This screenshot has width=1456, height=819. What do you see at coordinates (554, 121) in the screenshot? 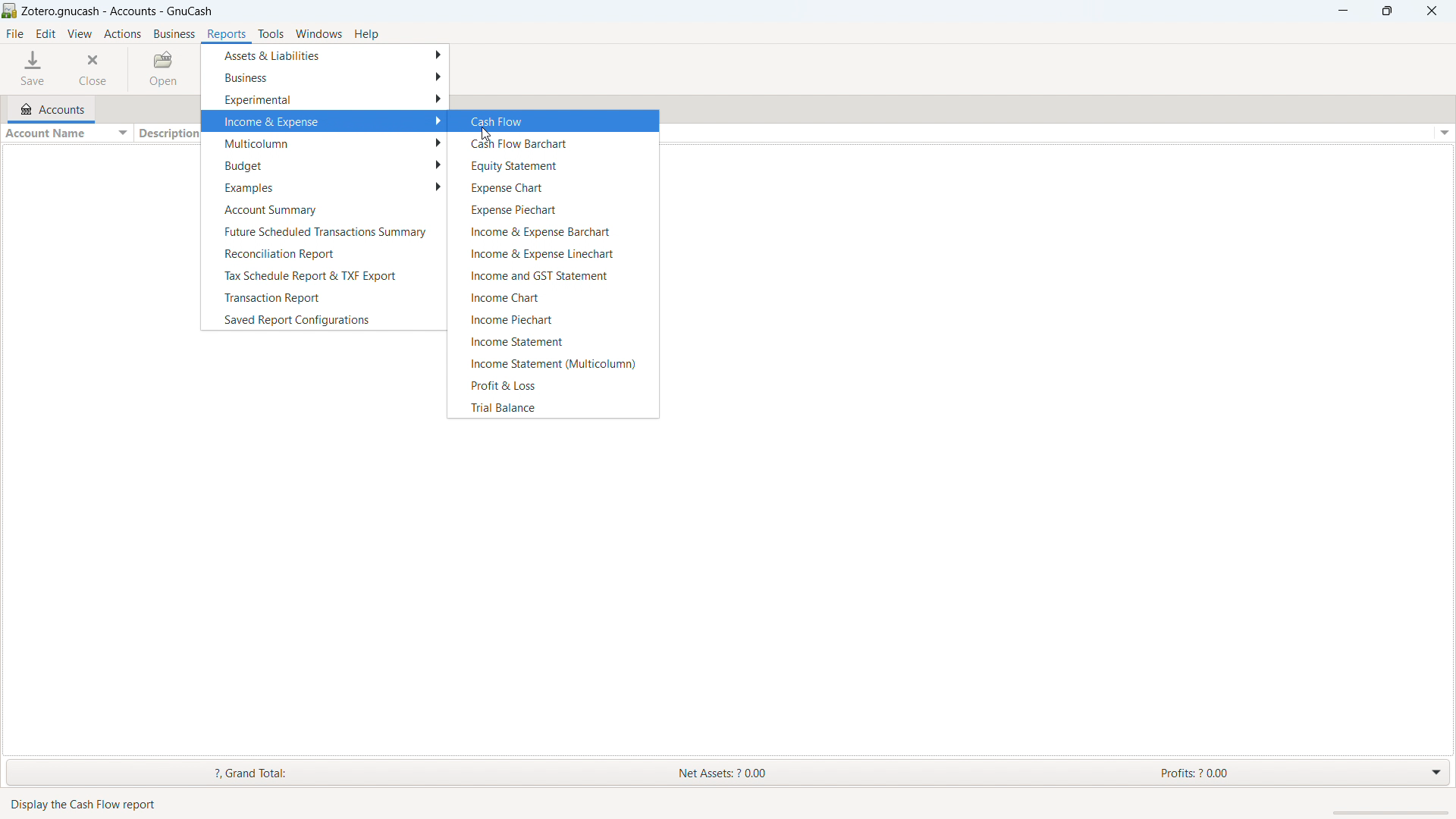
I see `cash flow` at bounding box center [554, 121].